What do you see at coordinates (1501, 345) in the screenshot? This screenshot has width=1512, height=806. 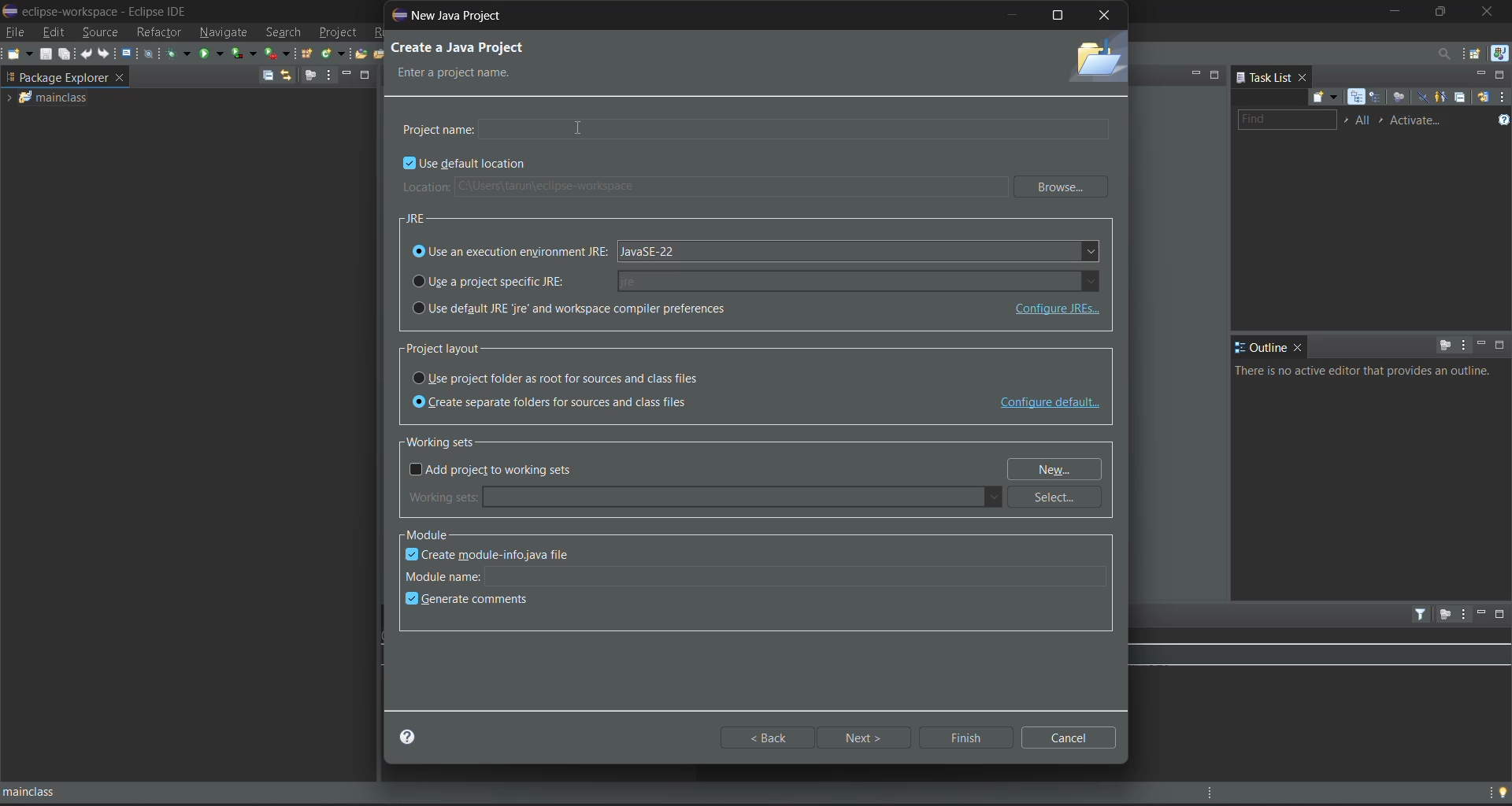 I see `maximize` at bounding box center [1501, 345].